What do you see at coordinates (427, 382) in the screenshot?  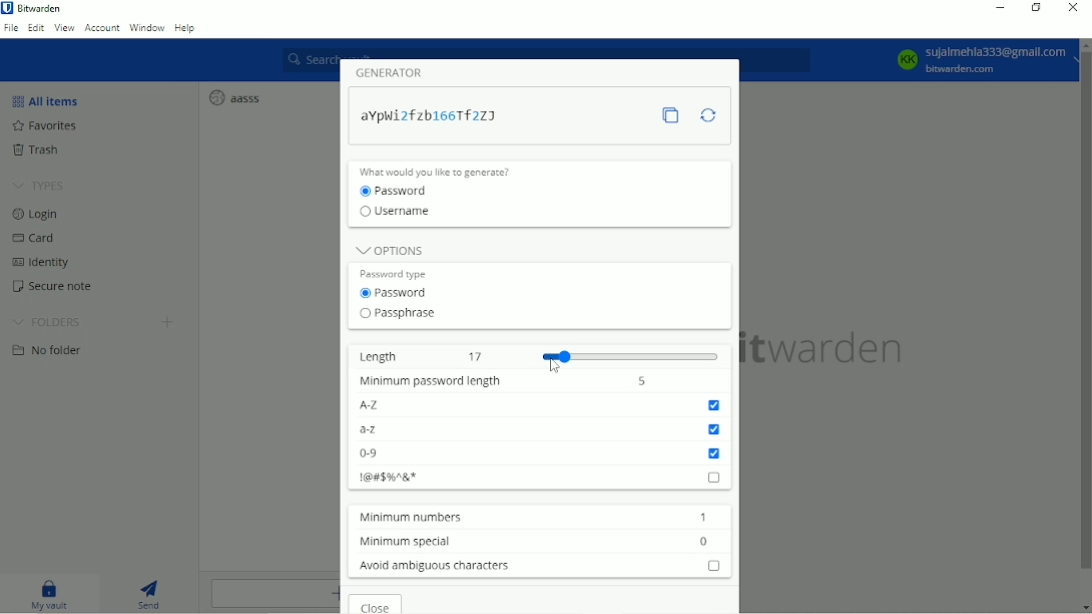 I see `Minimum password length` at bounding box center [427, 382].